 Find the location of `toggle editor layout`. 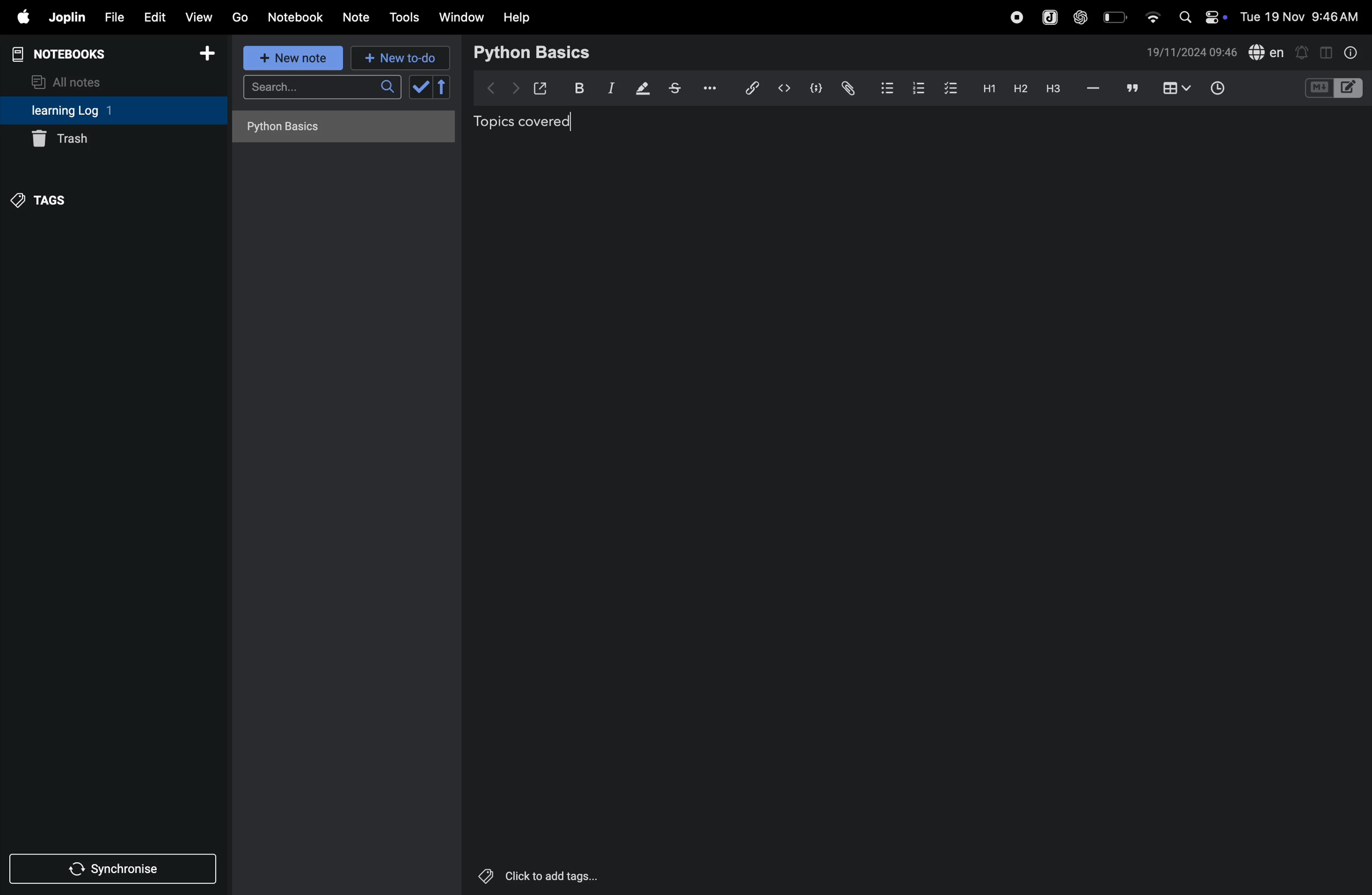

toggle editor layout is located at coordinates (1327, 51).